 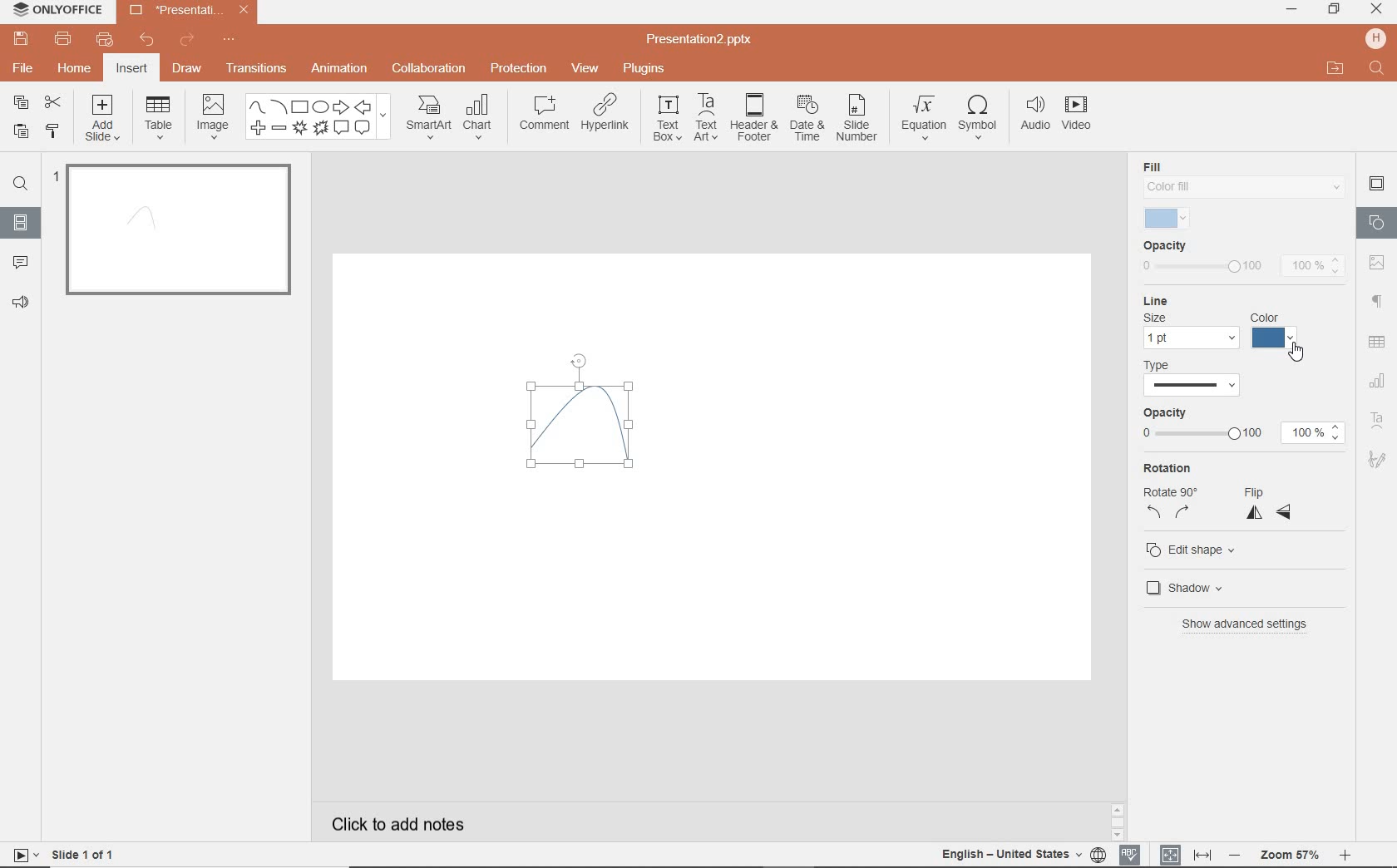 I want to click on VIDEO, so click(x=1085, y=116).